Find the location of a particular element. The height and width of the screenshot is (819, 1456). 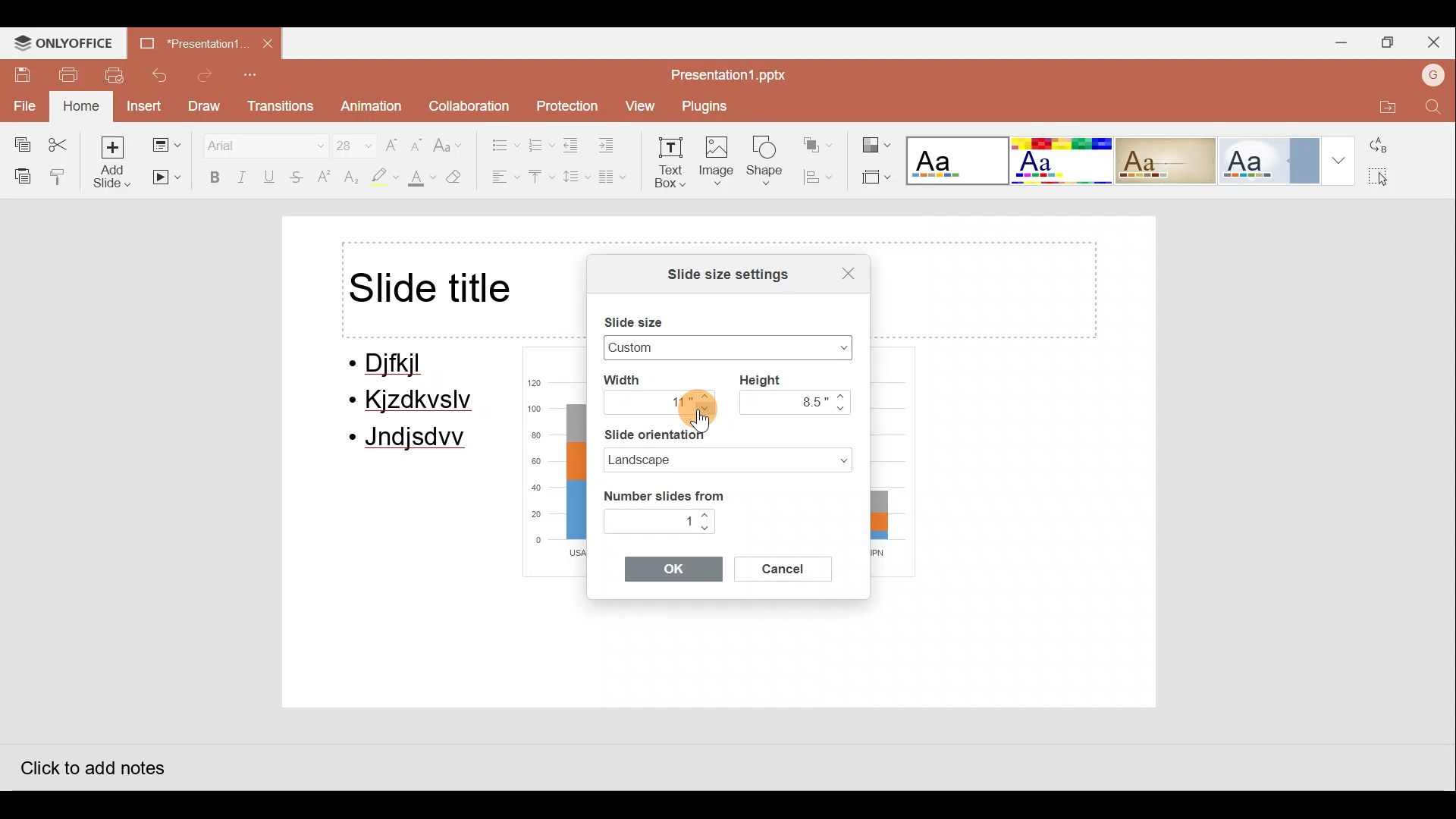

Horizontal align is located at coordinates (501, 178).